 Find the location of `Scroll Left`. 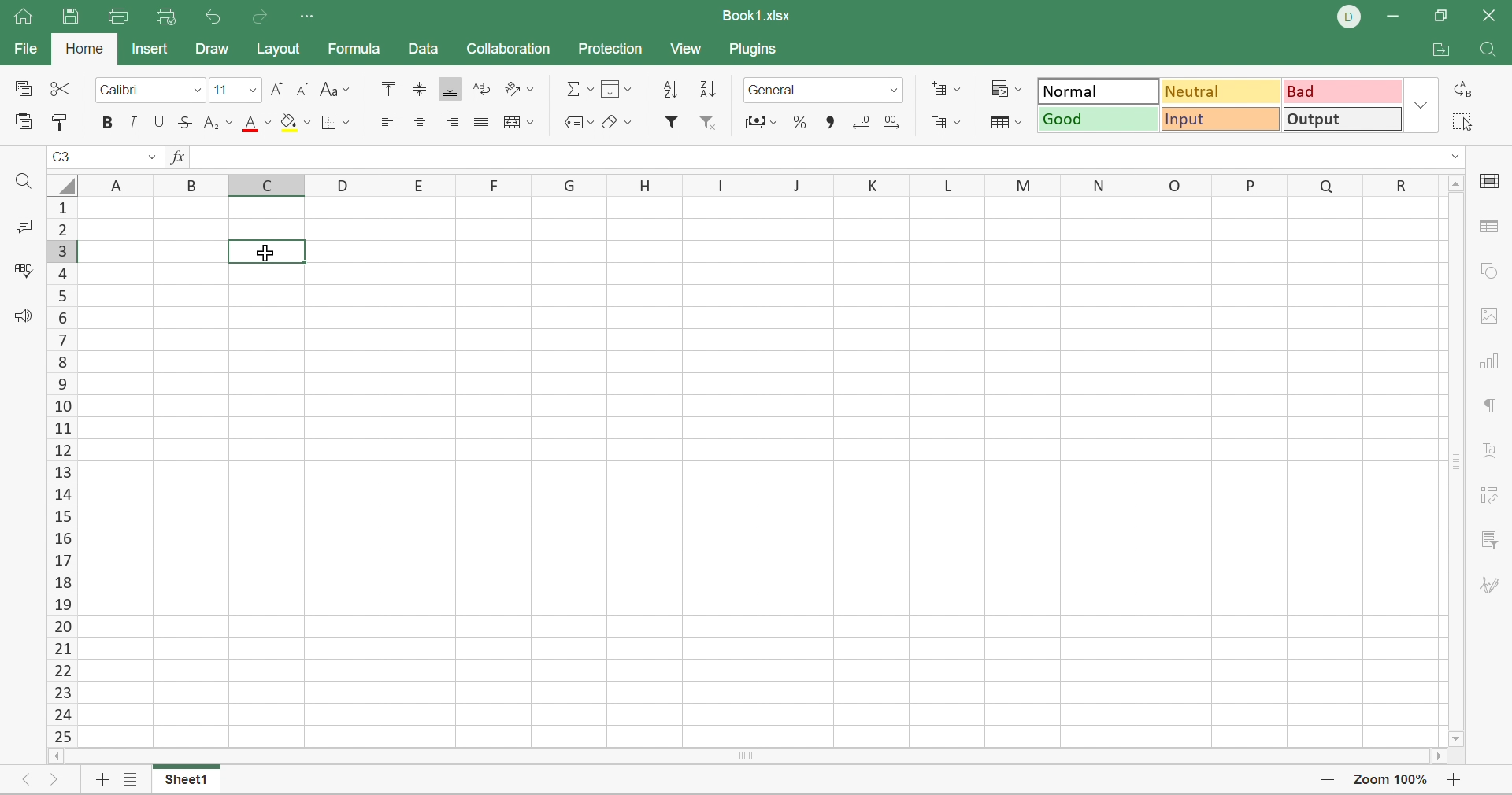

Scroll Left is located at coordinates (54, 754).